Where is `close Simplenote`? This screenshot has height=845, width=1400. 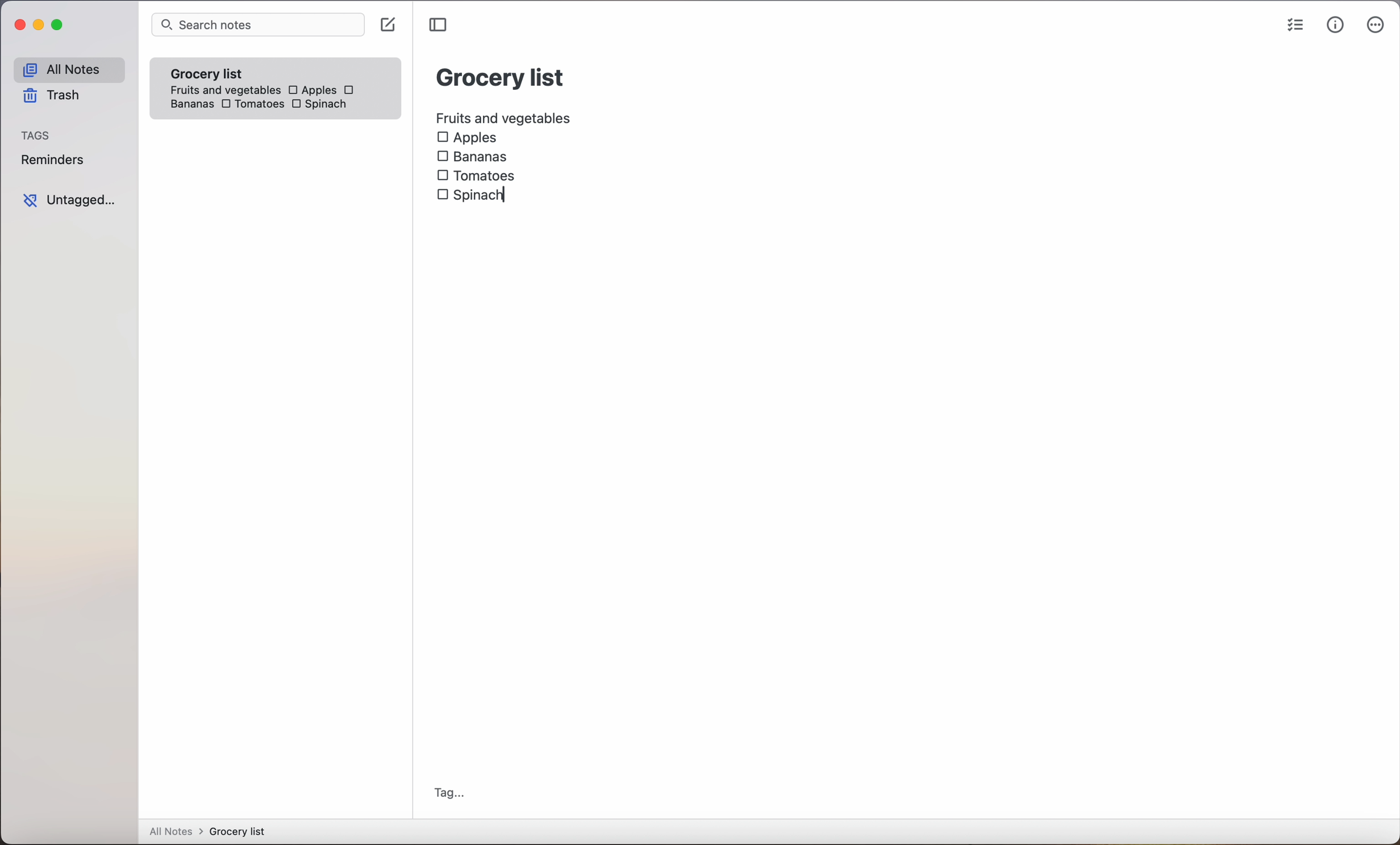 close Simplenote is located at coordinates (19, 26).